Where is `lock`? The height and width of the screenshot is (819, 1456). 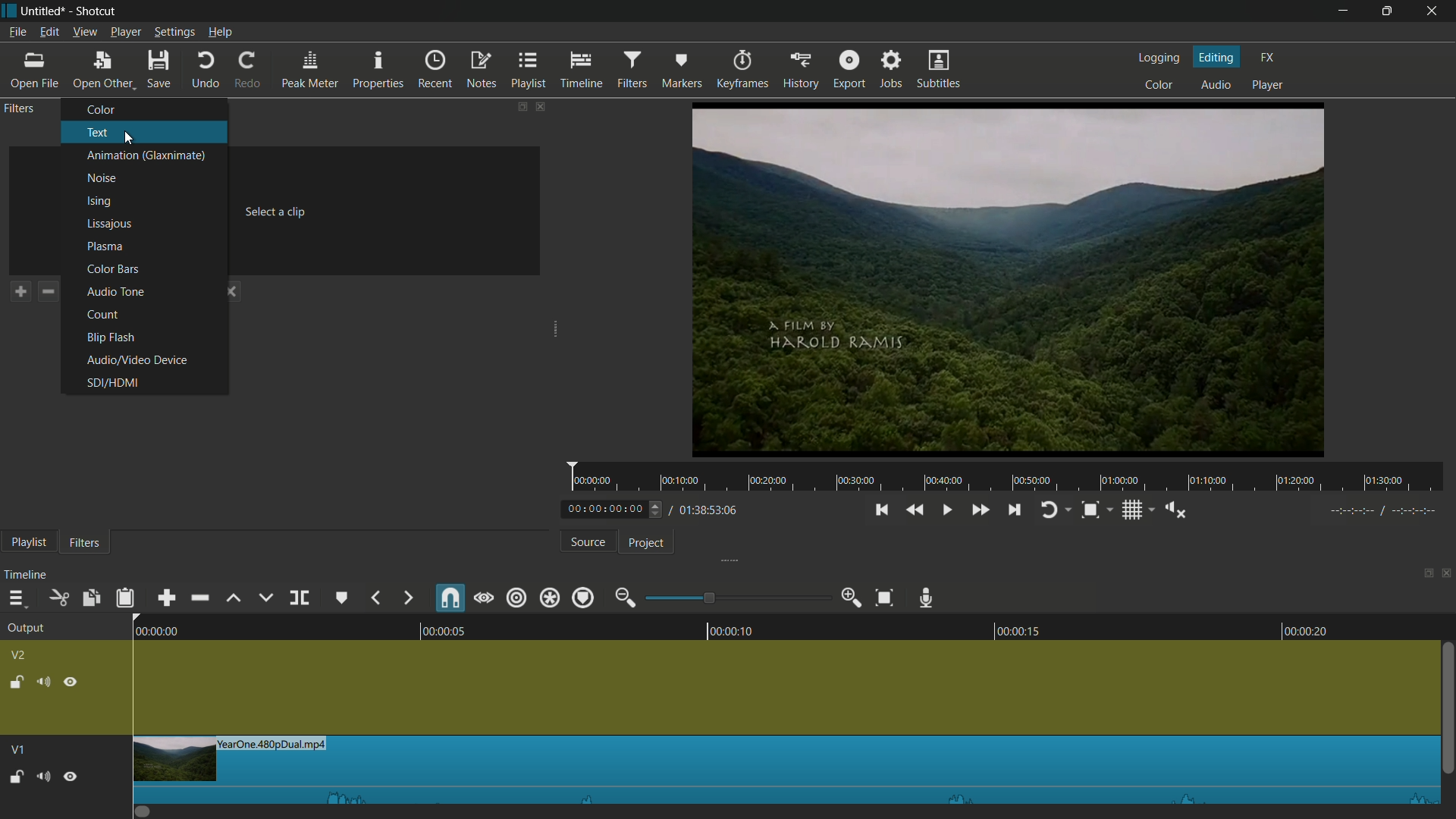 lock is located at coordinates (14, 680).